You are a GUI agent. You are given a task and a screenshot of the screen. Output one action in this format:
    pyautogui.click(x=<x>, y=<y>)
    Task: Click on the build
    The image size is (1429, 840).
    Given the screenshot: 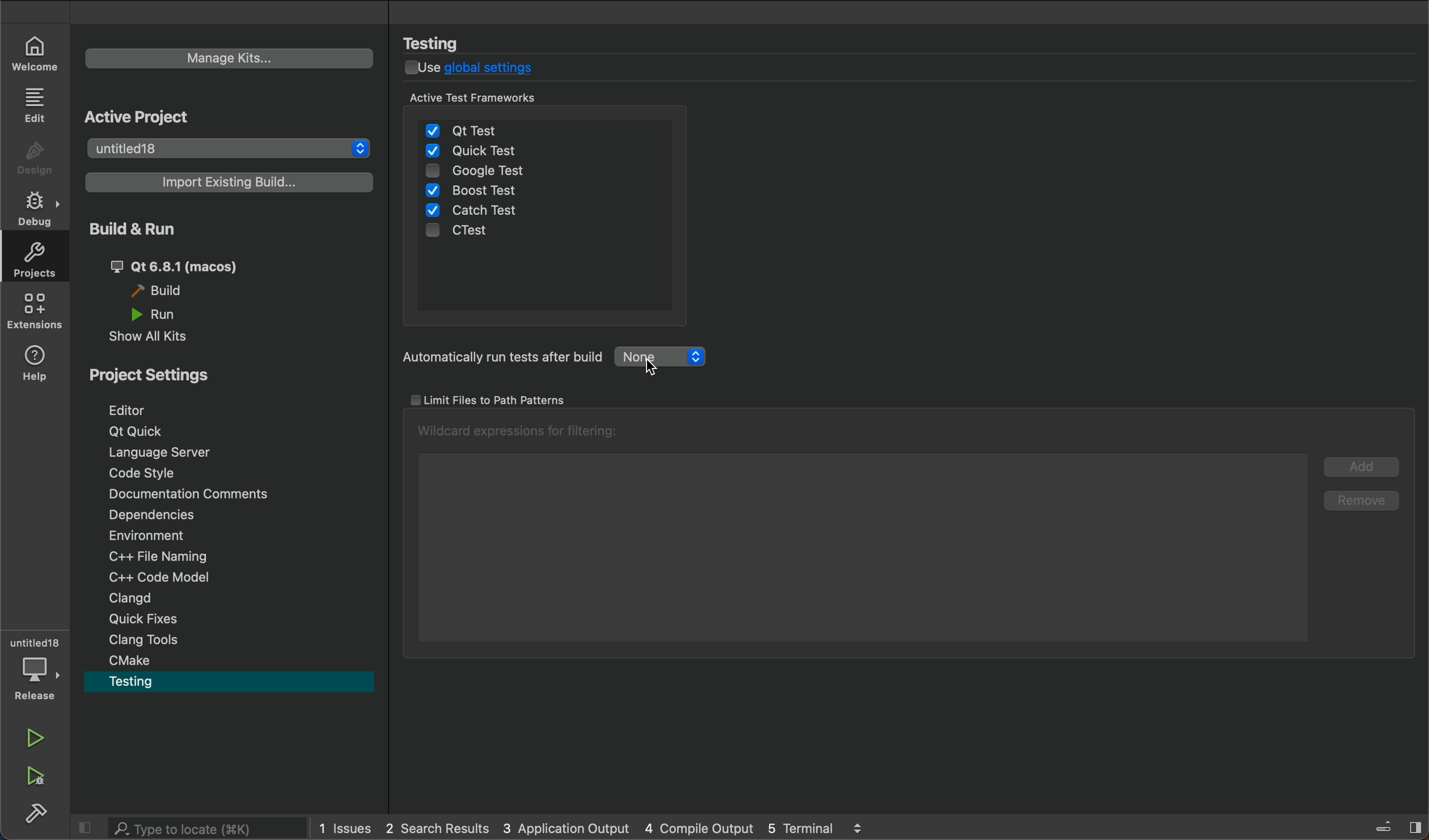 What is the action you would take?
    pyautogui.click(x=164, y=291)
    